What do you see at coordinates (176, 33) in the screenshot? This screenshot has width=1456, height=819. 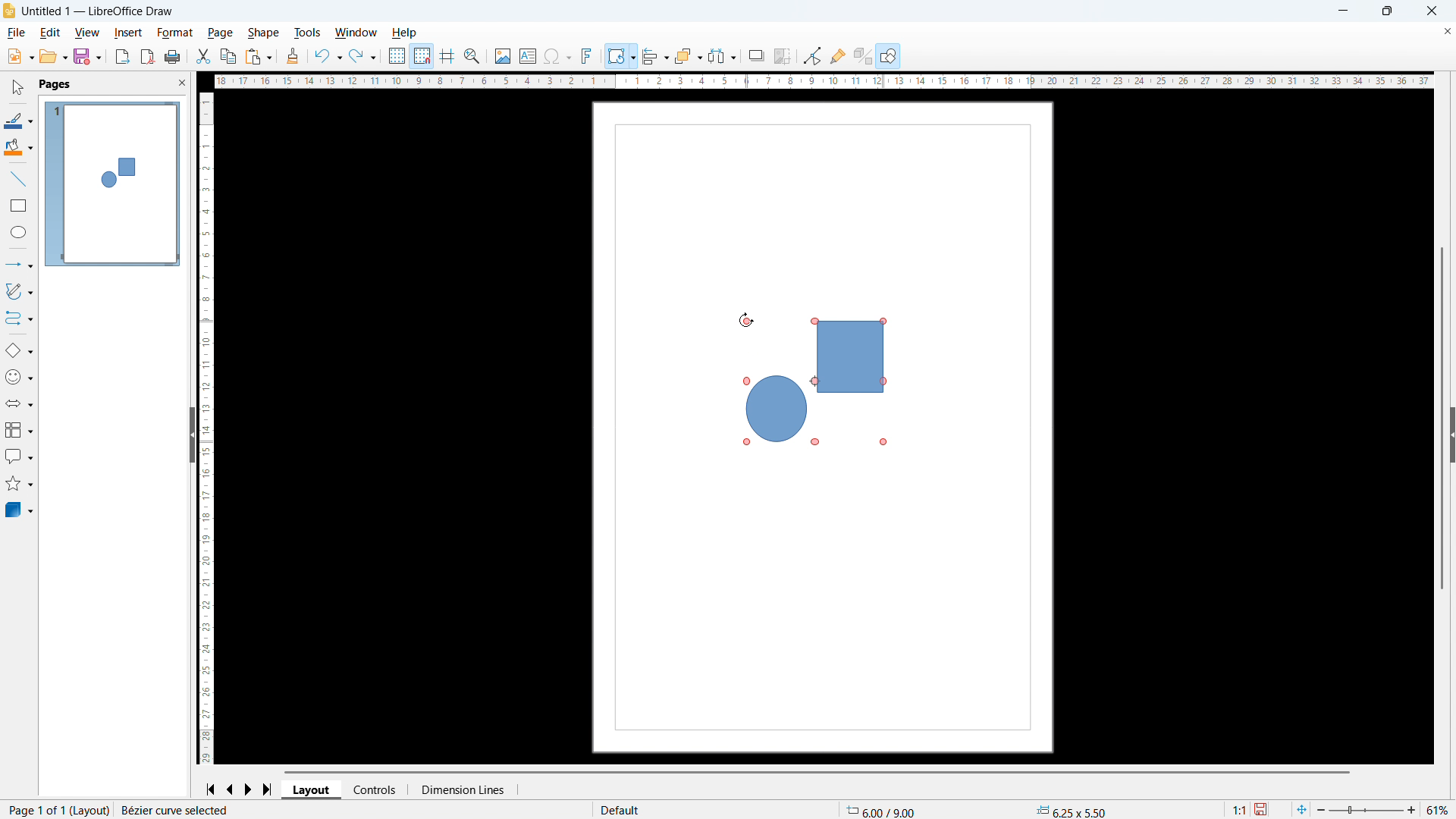 I see `Format ` at bounding box center [176, 33].